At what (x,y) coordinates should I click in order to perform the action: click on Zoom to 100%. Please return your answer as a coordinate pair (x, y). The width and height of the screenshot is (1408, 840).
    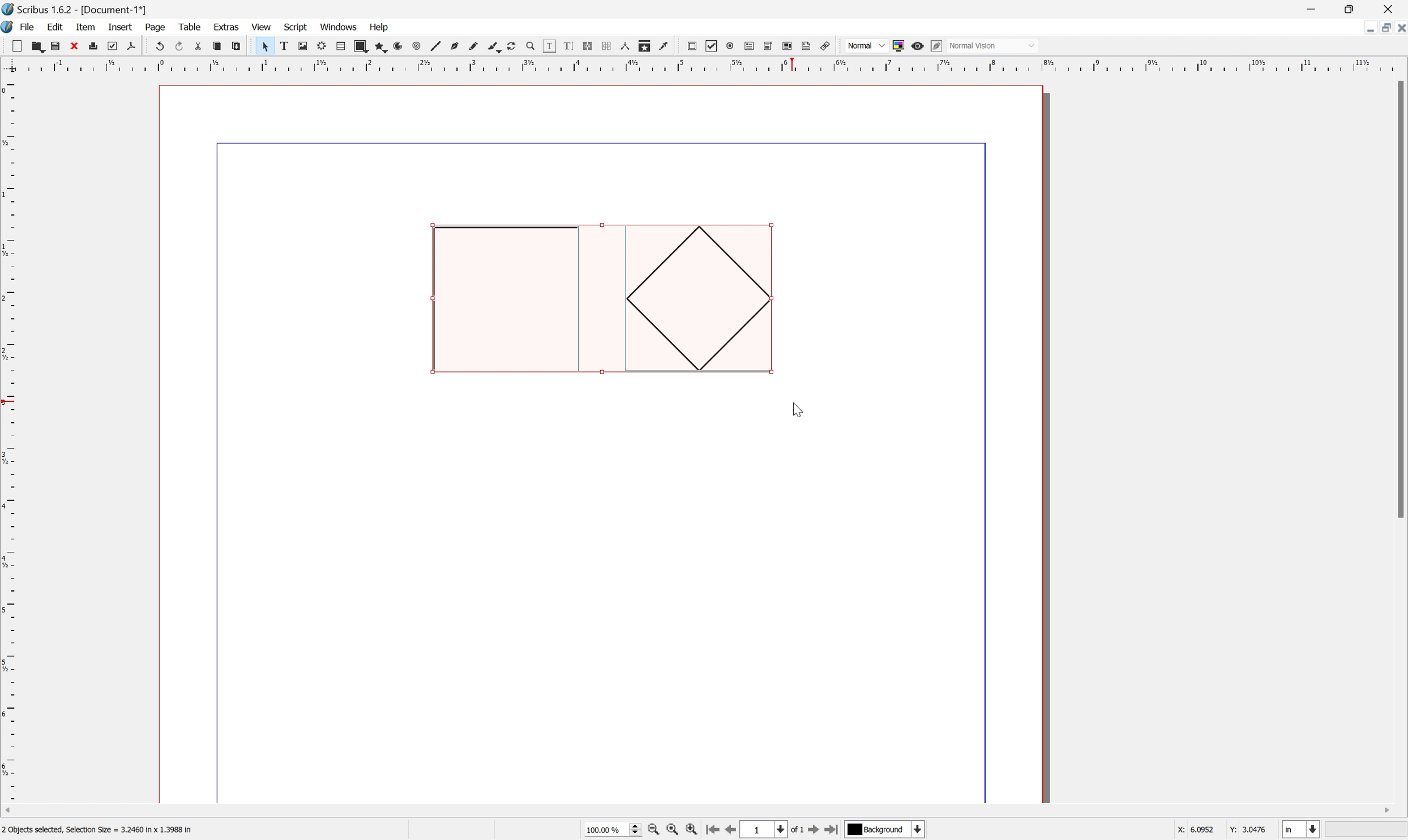
    Looking at the image, I should click on (670, 832).